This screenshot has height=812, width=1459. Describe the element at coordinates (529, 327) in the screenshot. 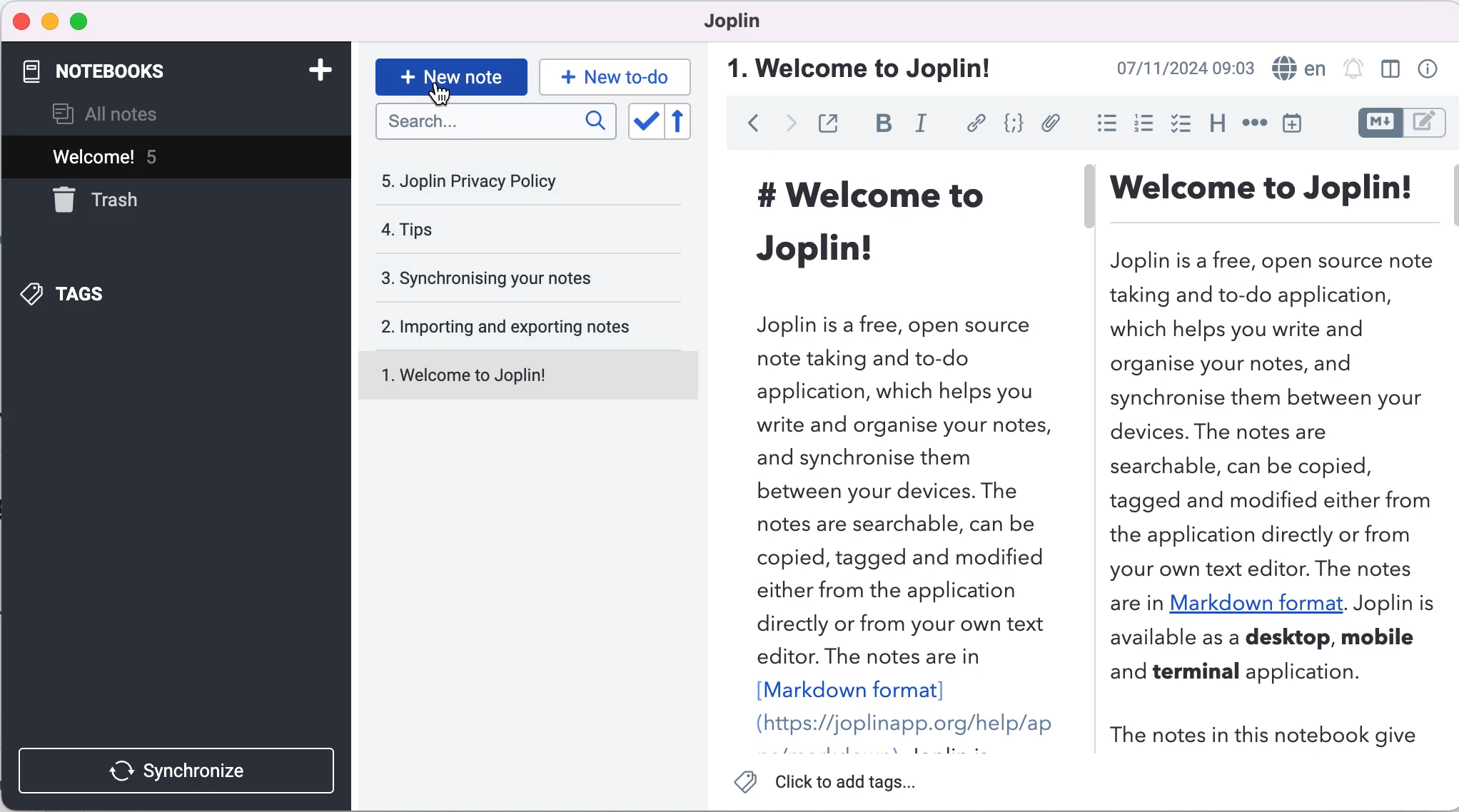

I see `importing and exporting notes` at that location.